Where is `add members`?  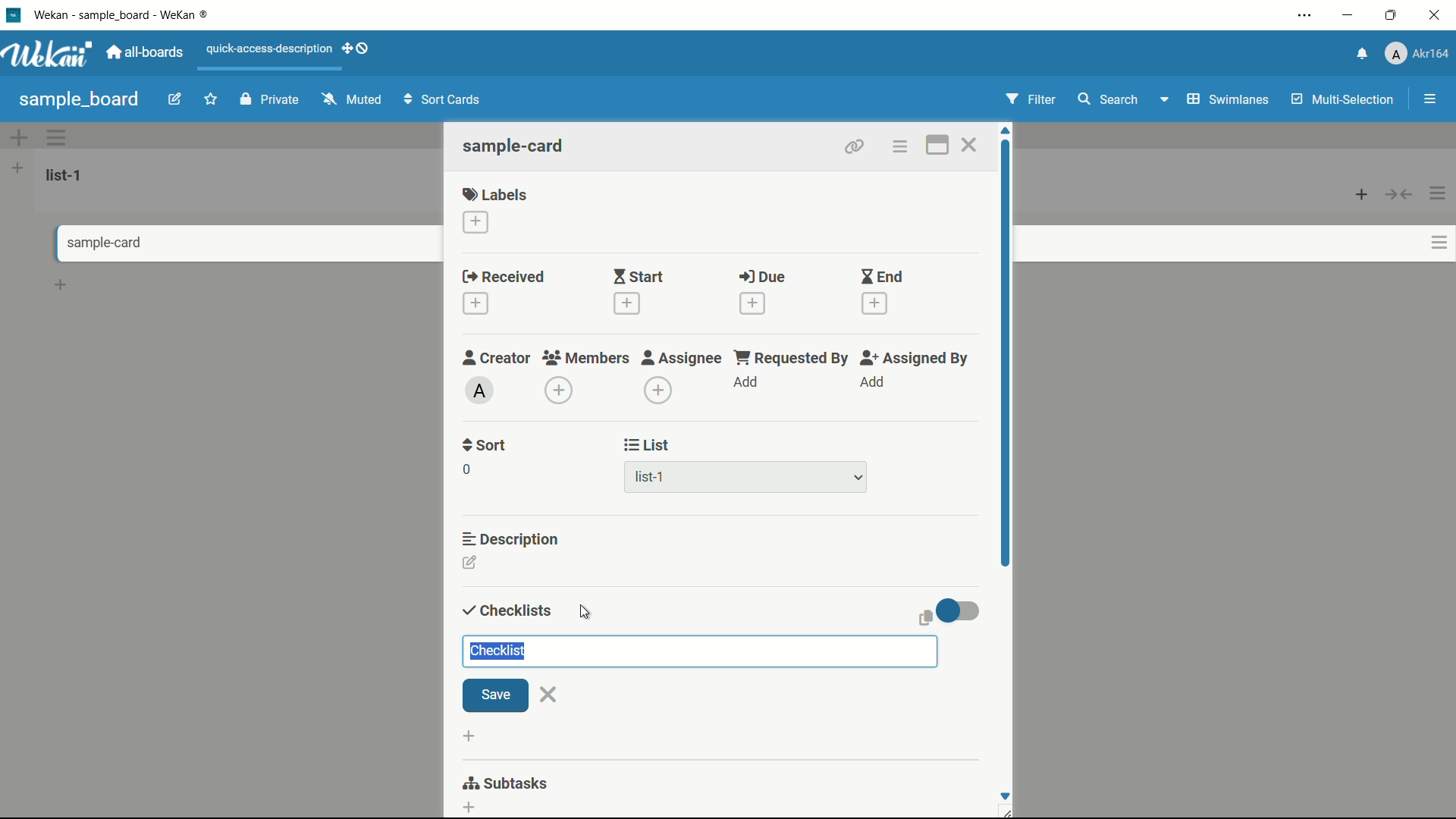
add members is located at coordinates (561, 392).